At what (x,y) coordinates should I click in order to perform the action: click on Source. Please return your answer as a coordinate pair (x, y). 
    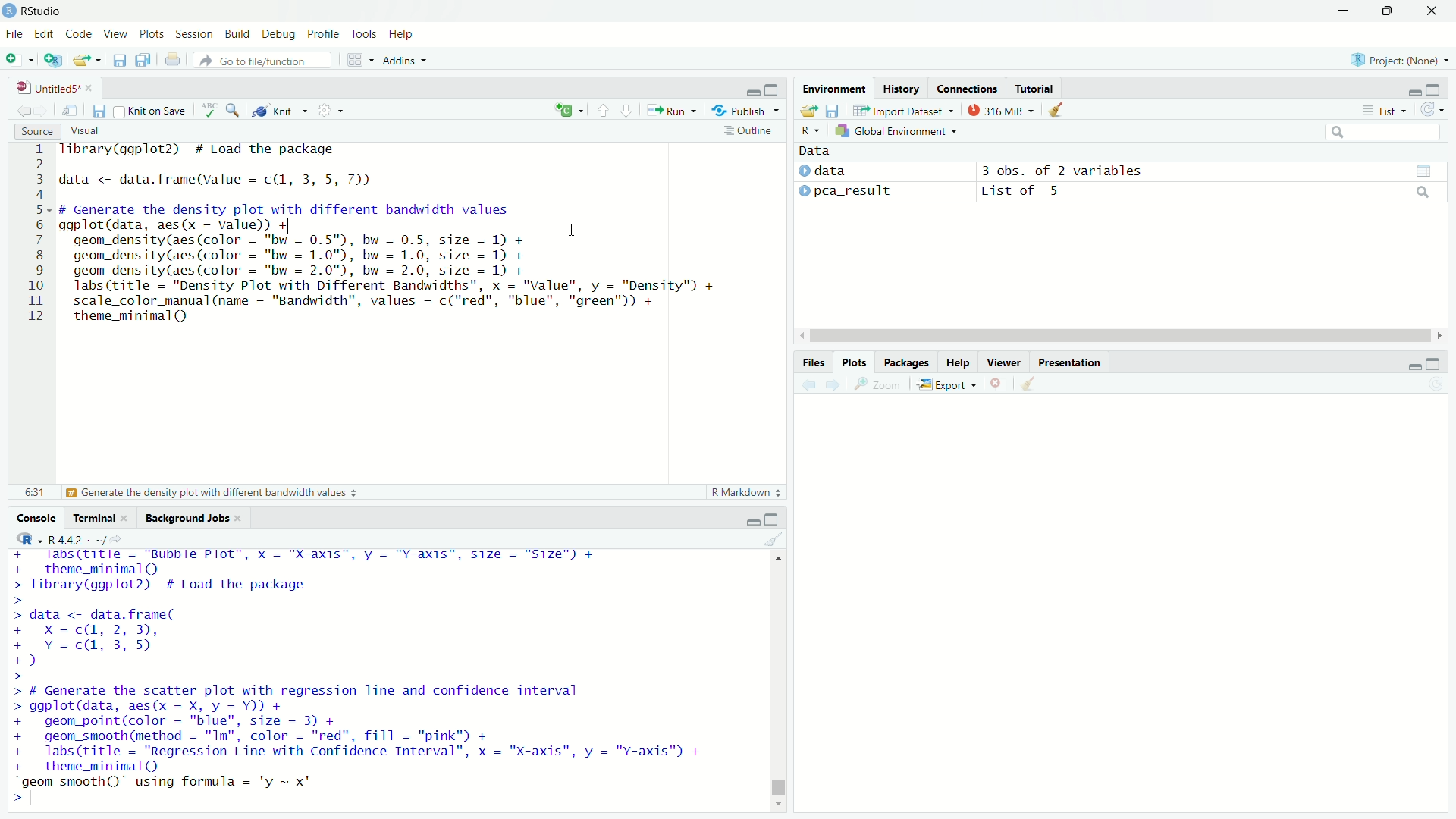
    Looking at the image, I should click on (36, 131).